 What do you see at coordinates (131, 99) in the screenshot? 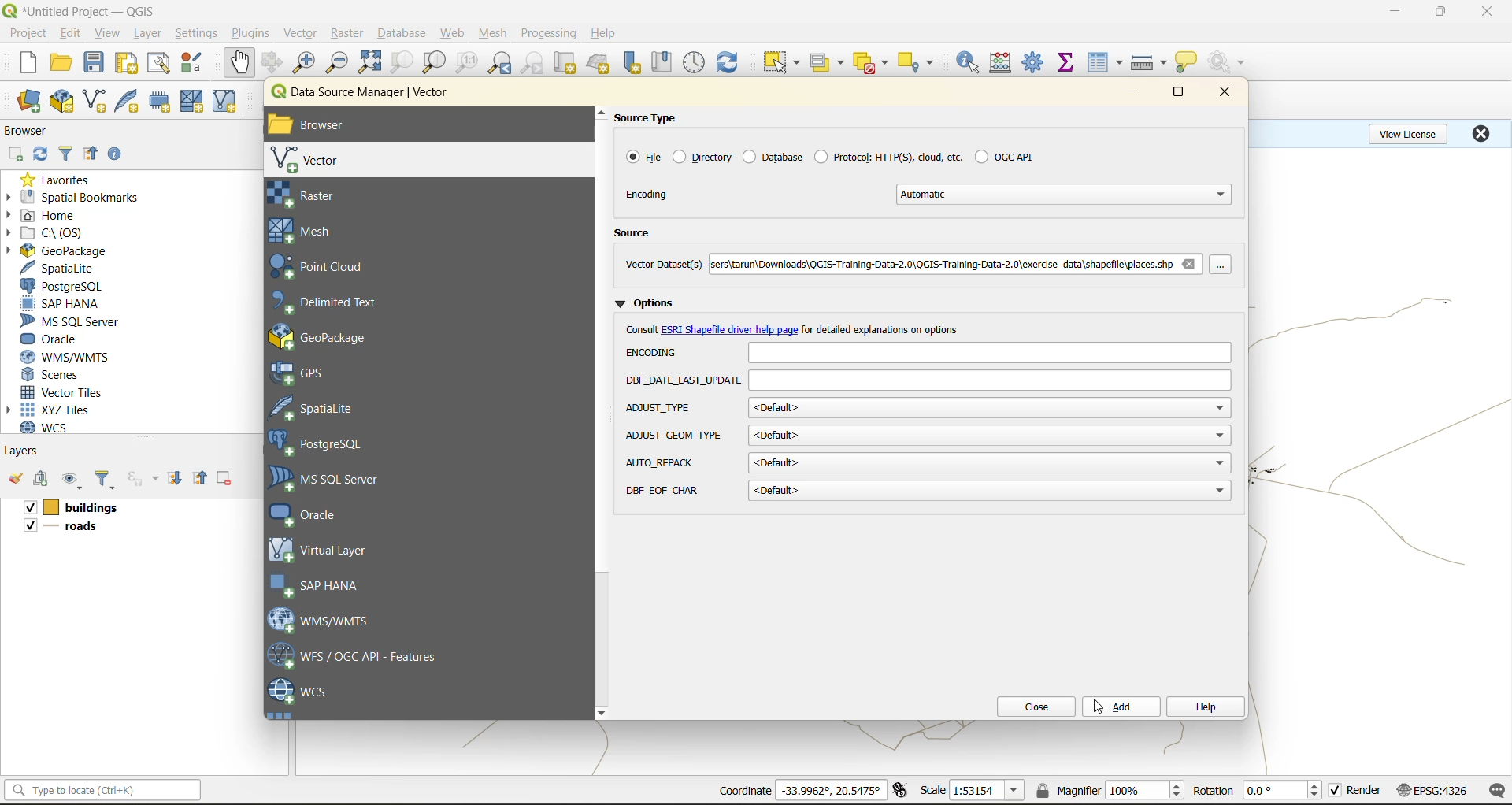
I see `new spatialite layer` at bounding box center [131, 99].